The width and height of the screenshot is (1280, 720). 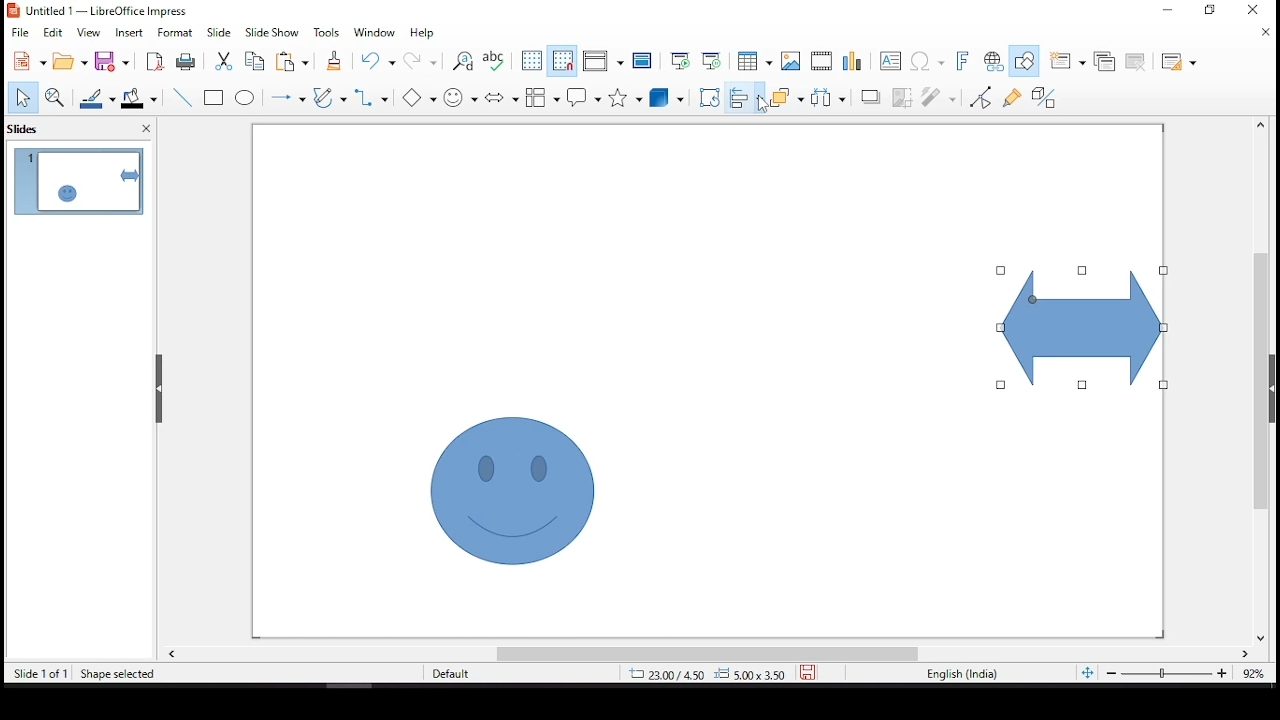 What do you see at coordinates (143, 131) in the screenshot?
I see `close pane` at bounding box center [143, 131].